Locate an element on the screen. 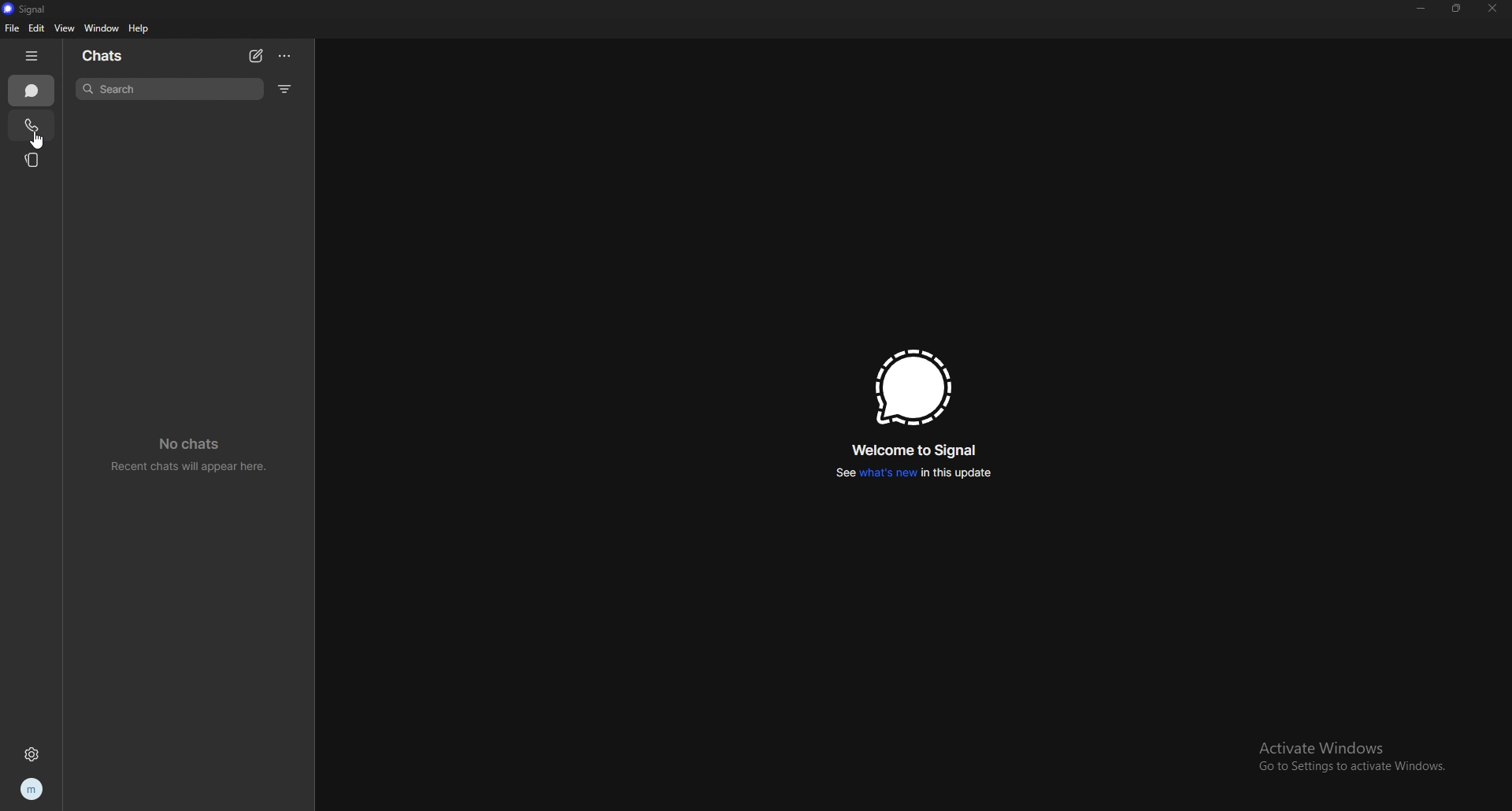 The height and width of the screenshot is (811, 1512). filter is located at coordinates (286, 88).